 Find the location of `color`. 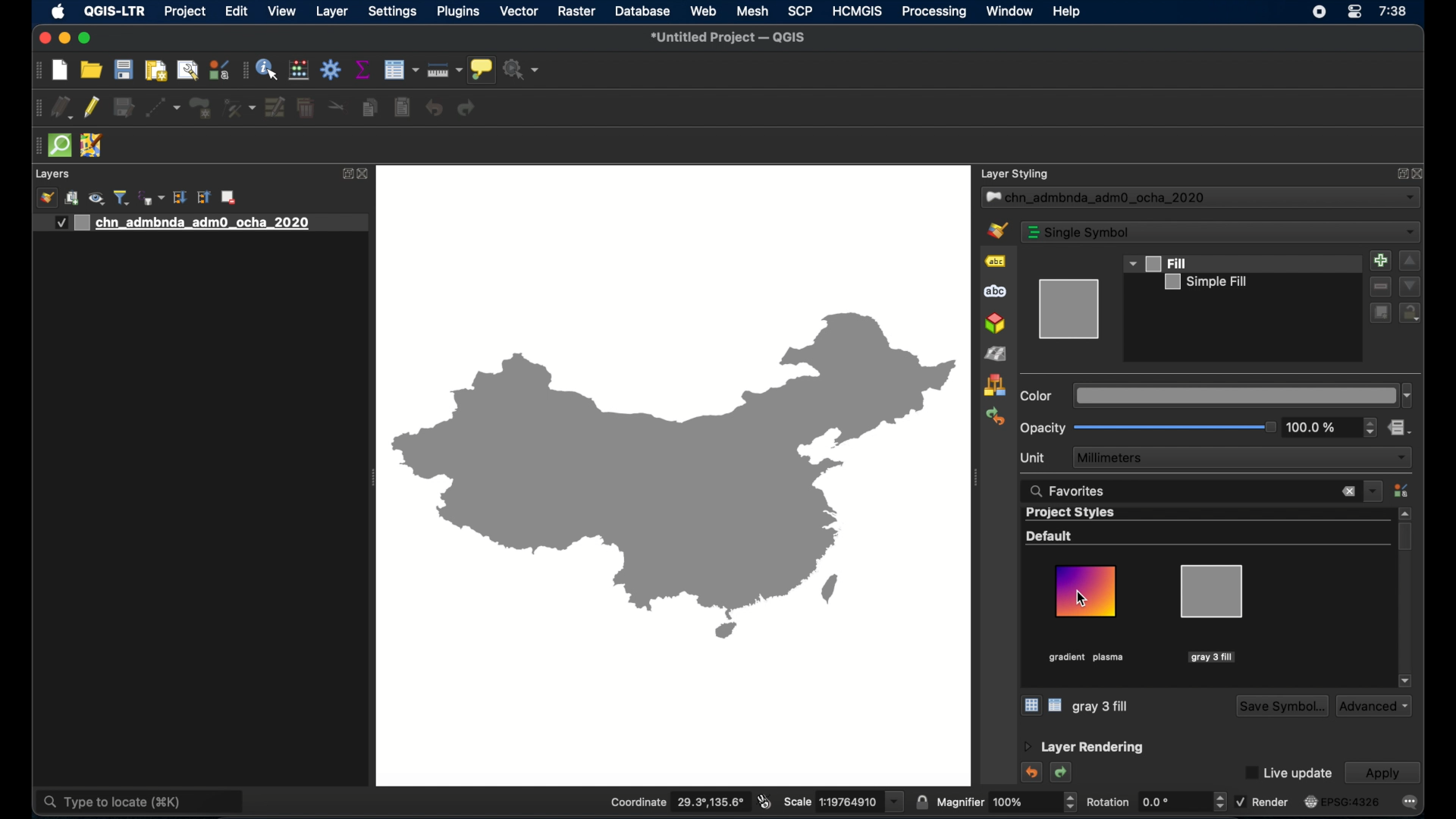

color is located at coordinates (1037, 396).